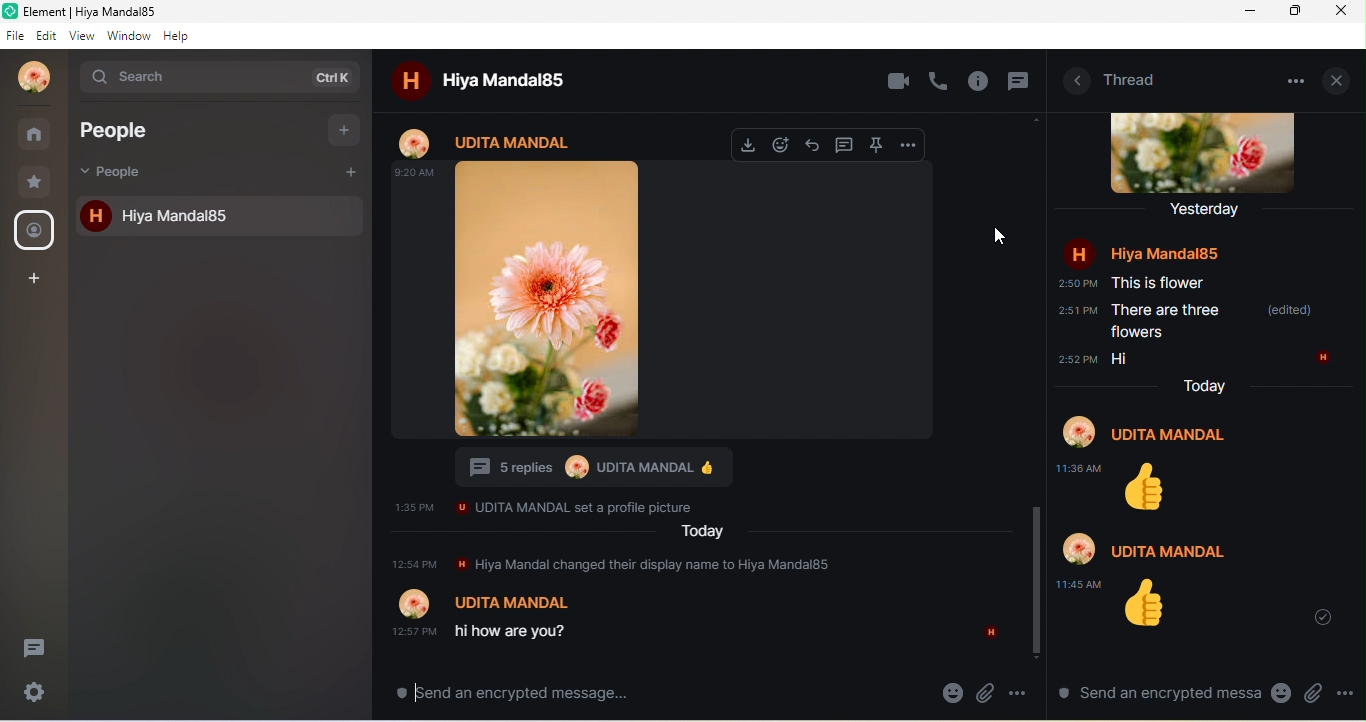 Image resolution: width=1366 pixels, height=722 pixels. I want to click on (edited), so click(1287, 310).